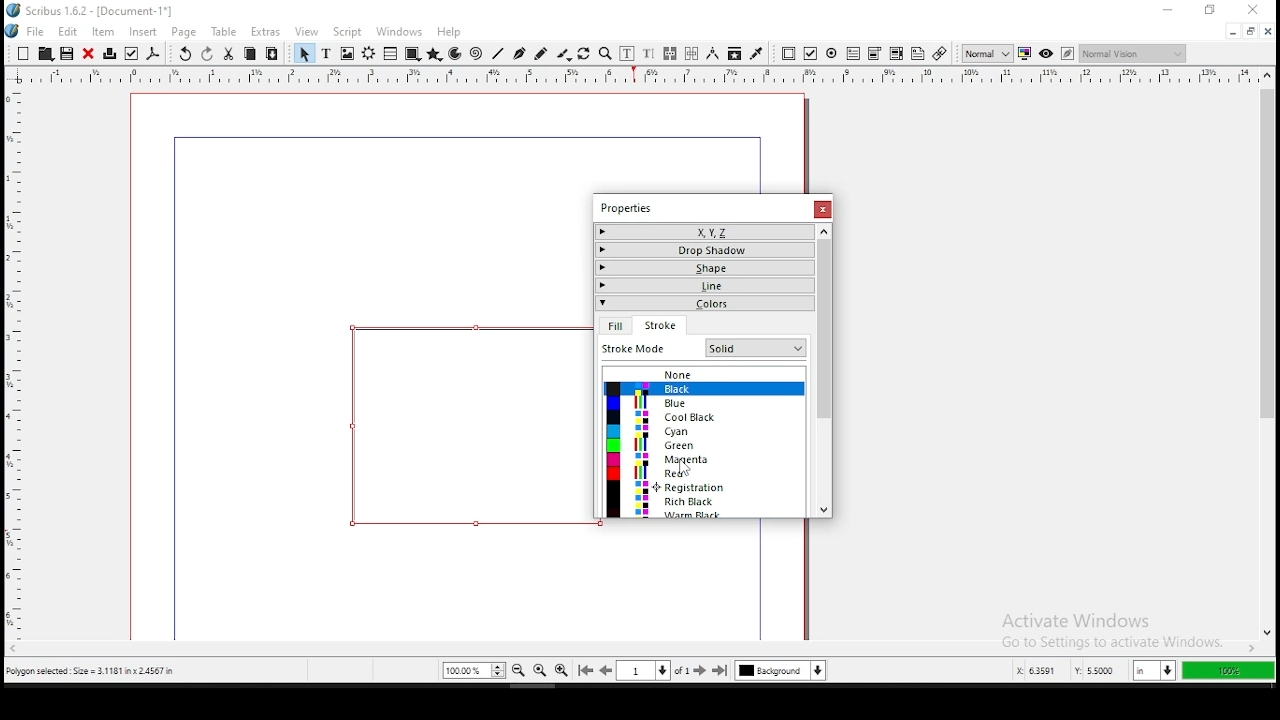  What do you see at coordinates (702, 250) in the screenshot?
I see `drop shadow` at bounding box center [702, 250].